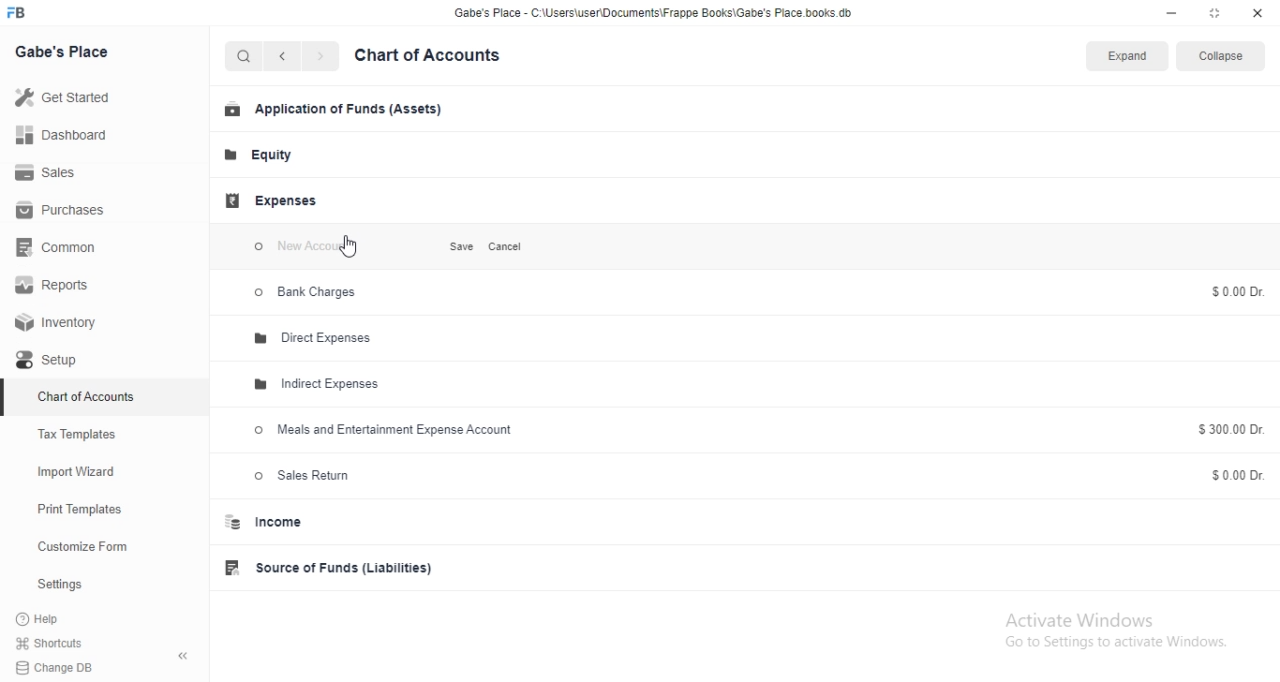 The width and height of the screenshot is (1280, 682). Describe the element at coordinates (1233, 291) in the screenshot. I see `$0.00 Dr` at that location.